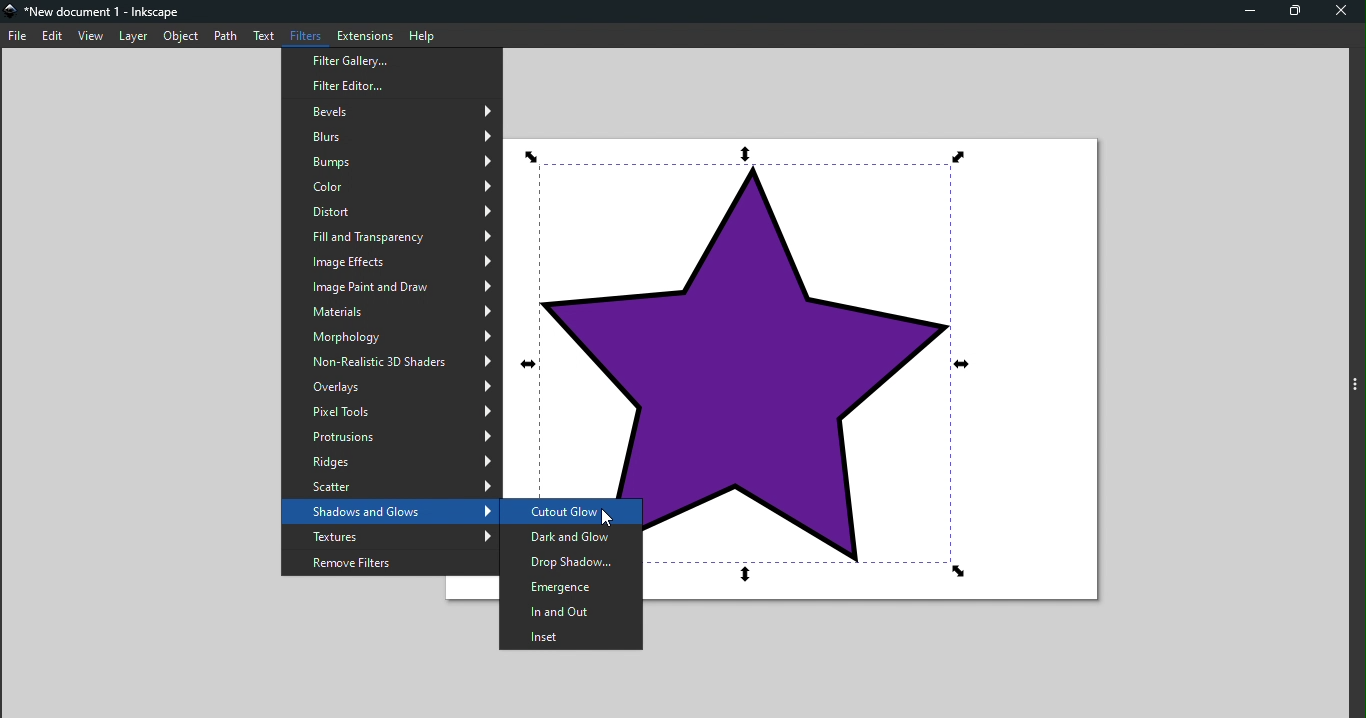 The image size is (1366, 718). Describe the element at coordinates (388, 139) in the screenshot. I see `Blurs` at that location.